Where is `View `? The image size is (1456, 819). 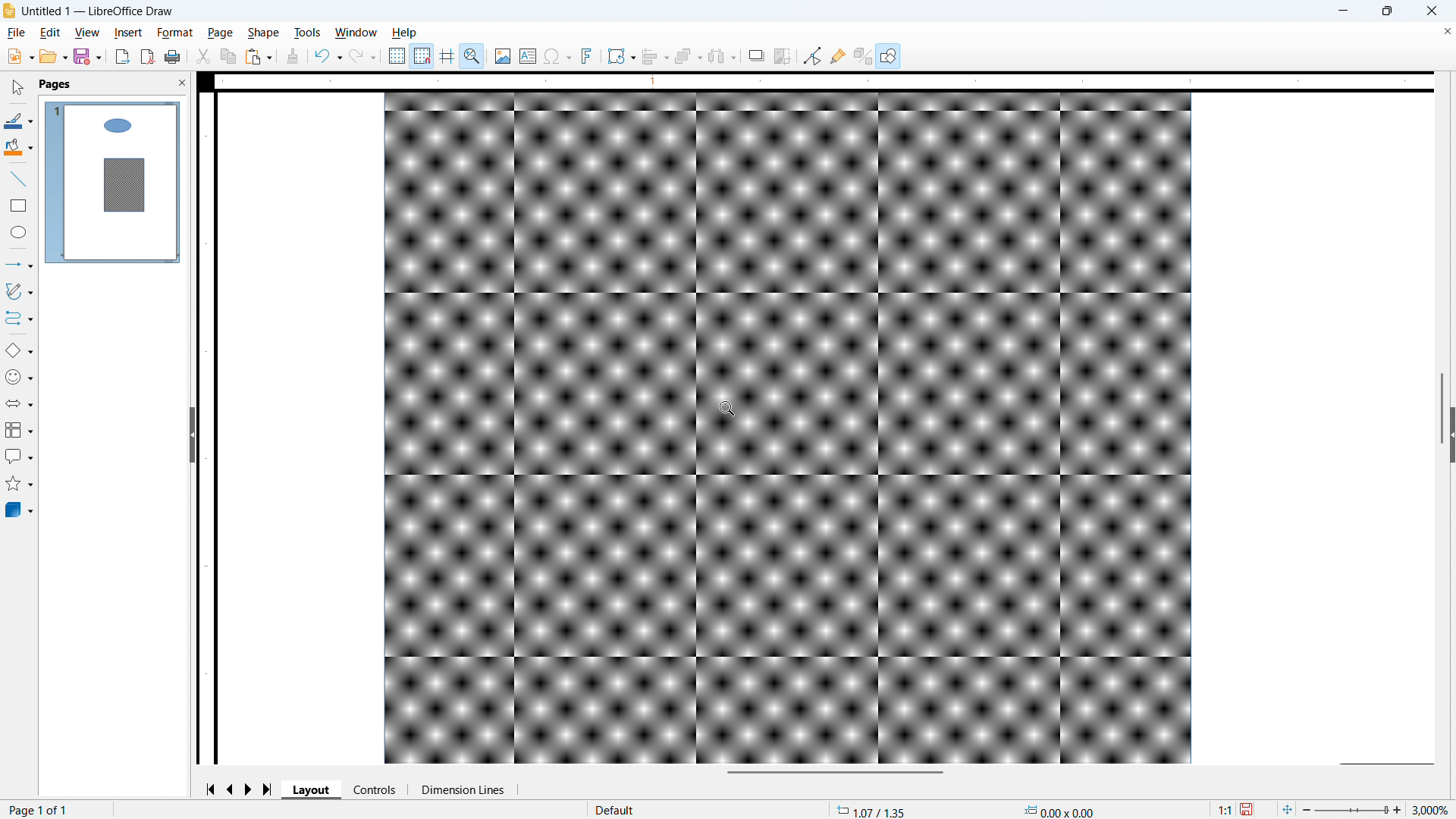
View  is located at coordinates (89, 33).